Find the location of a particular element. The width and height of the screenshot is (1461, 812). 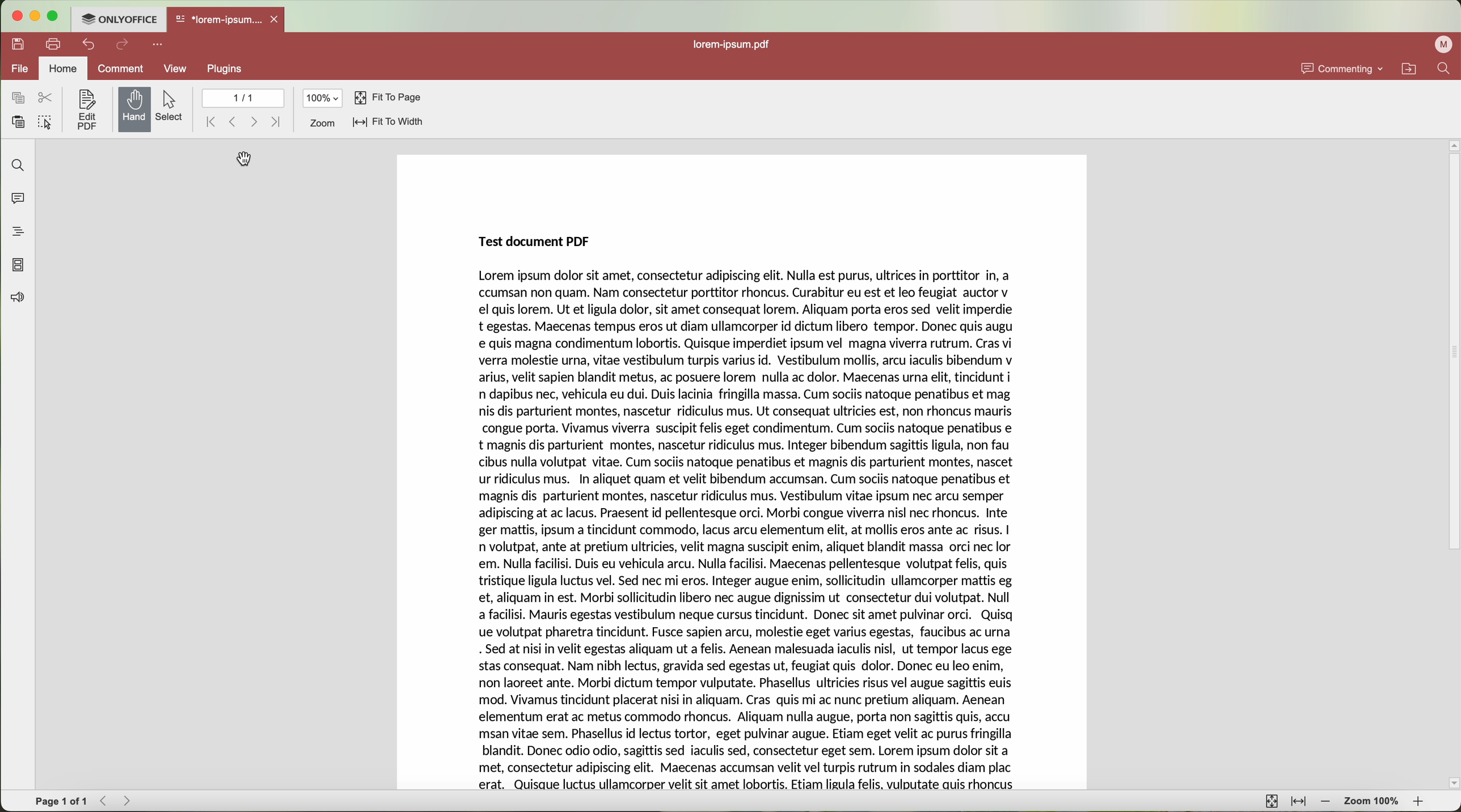

undo is located at coordinates (86, 44).